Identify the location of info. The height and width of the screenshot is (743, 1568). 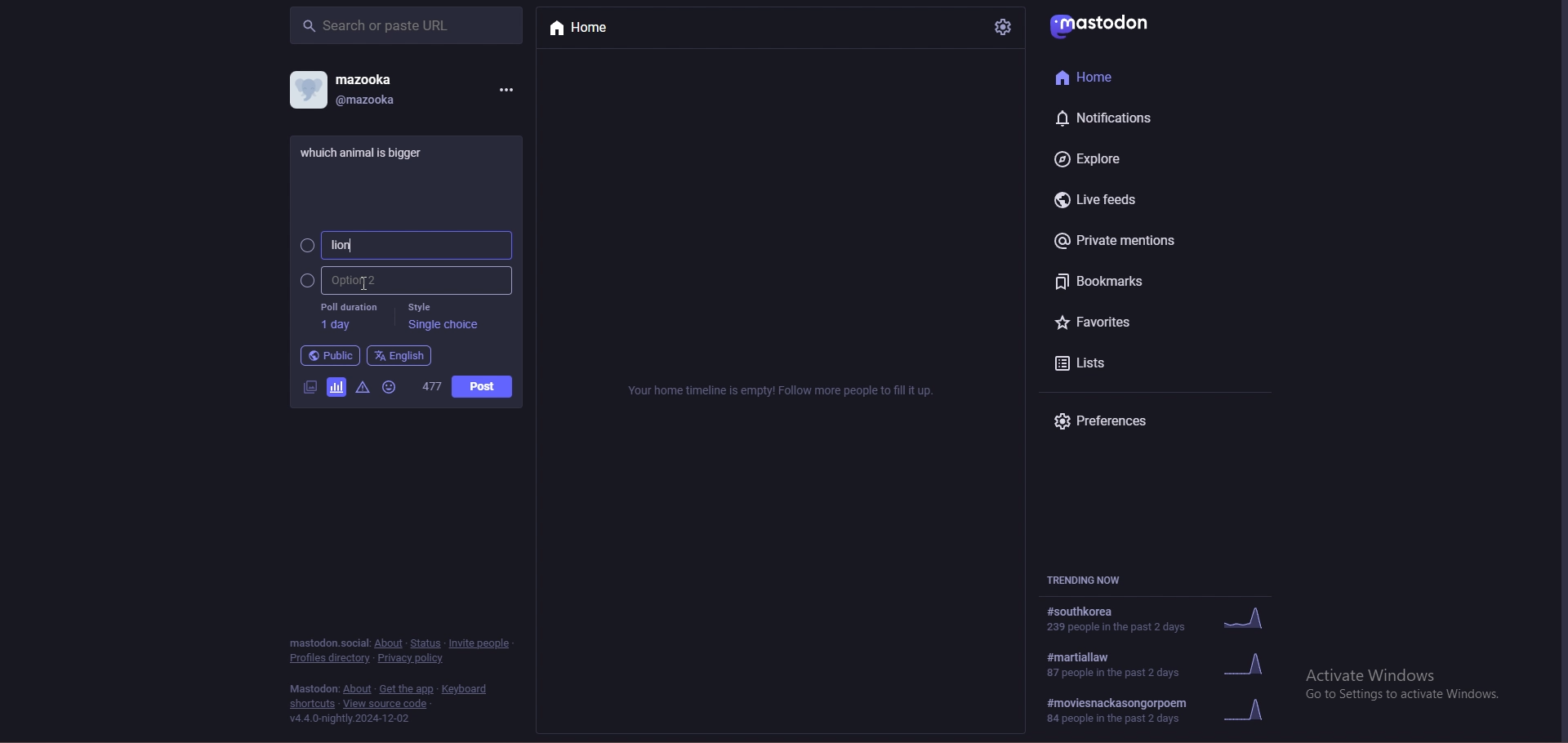
(783, 390).